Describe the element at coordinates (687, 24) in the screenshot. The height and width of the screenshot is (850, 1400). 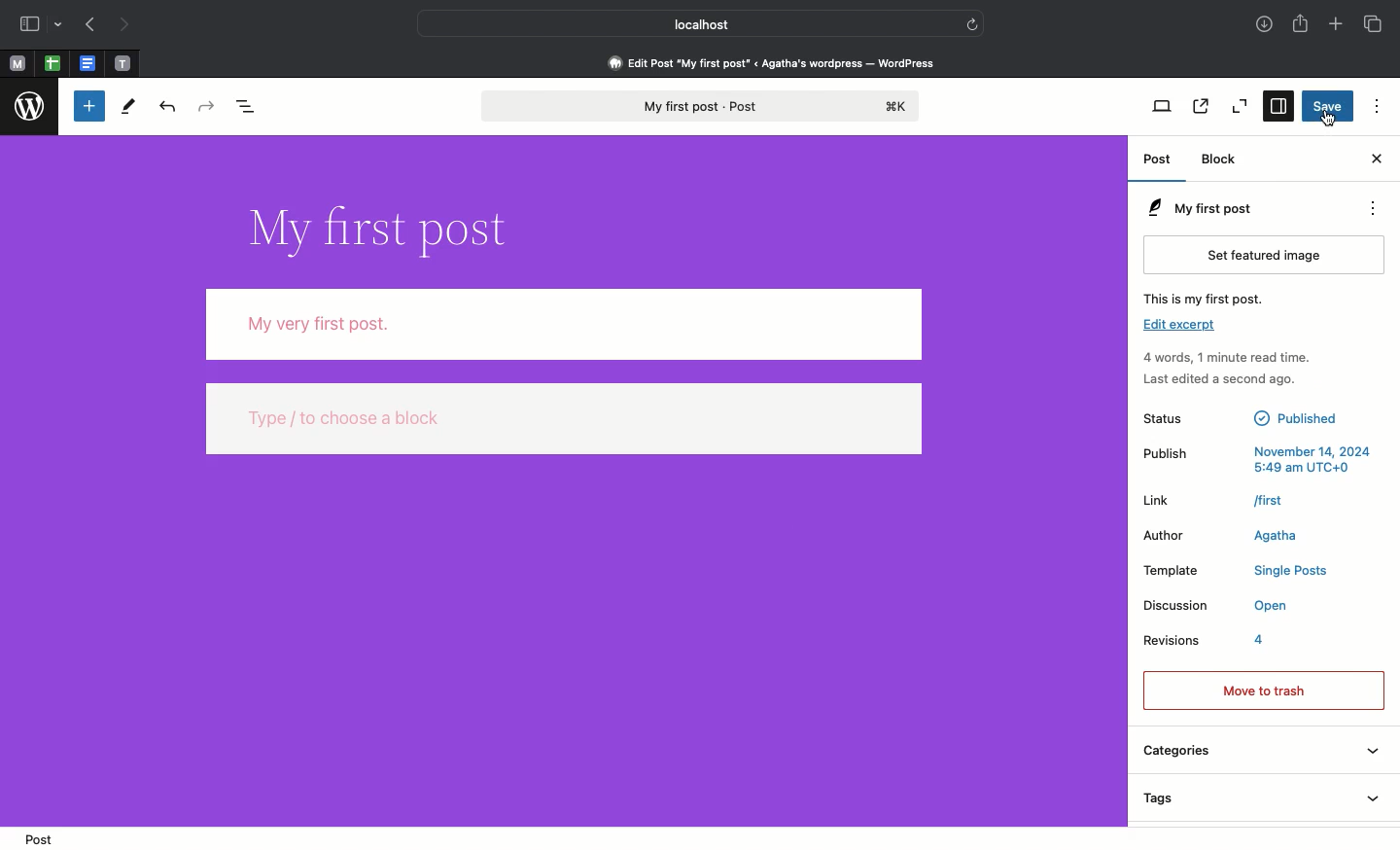
I see `Localhost` at that location.